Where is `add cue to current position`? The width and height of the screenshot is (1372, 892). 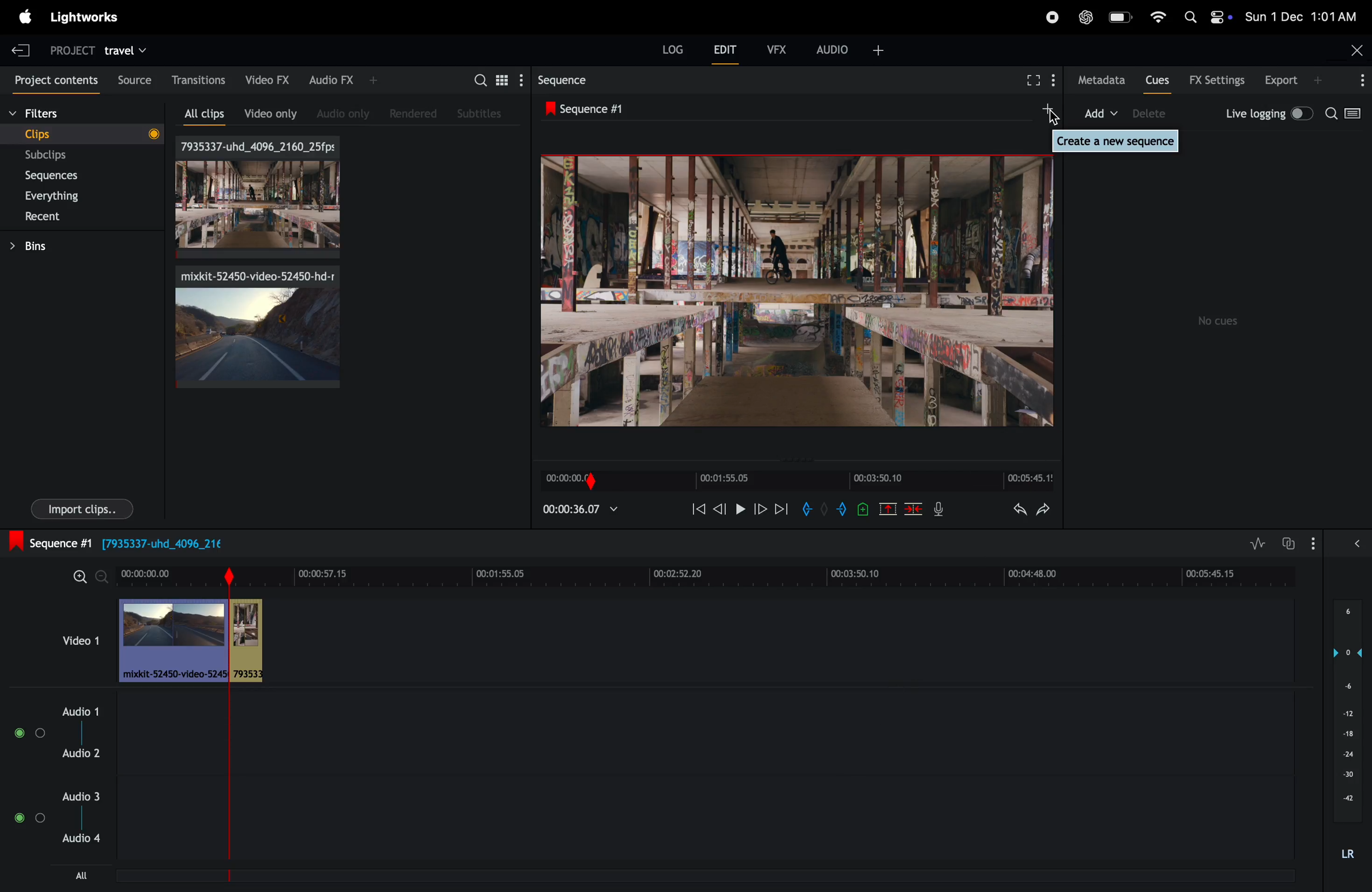 add cue to current position is located at coordinates (863, 512).